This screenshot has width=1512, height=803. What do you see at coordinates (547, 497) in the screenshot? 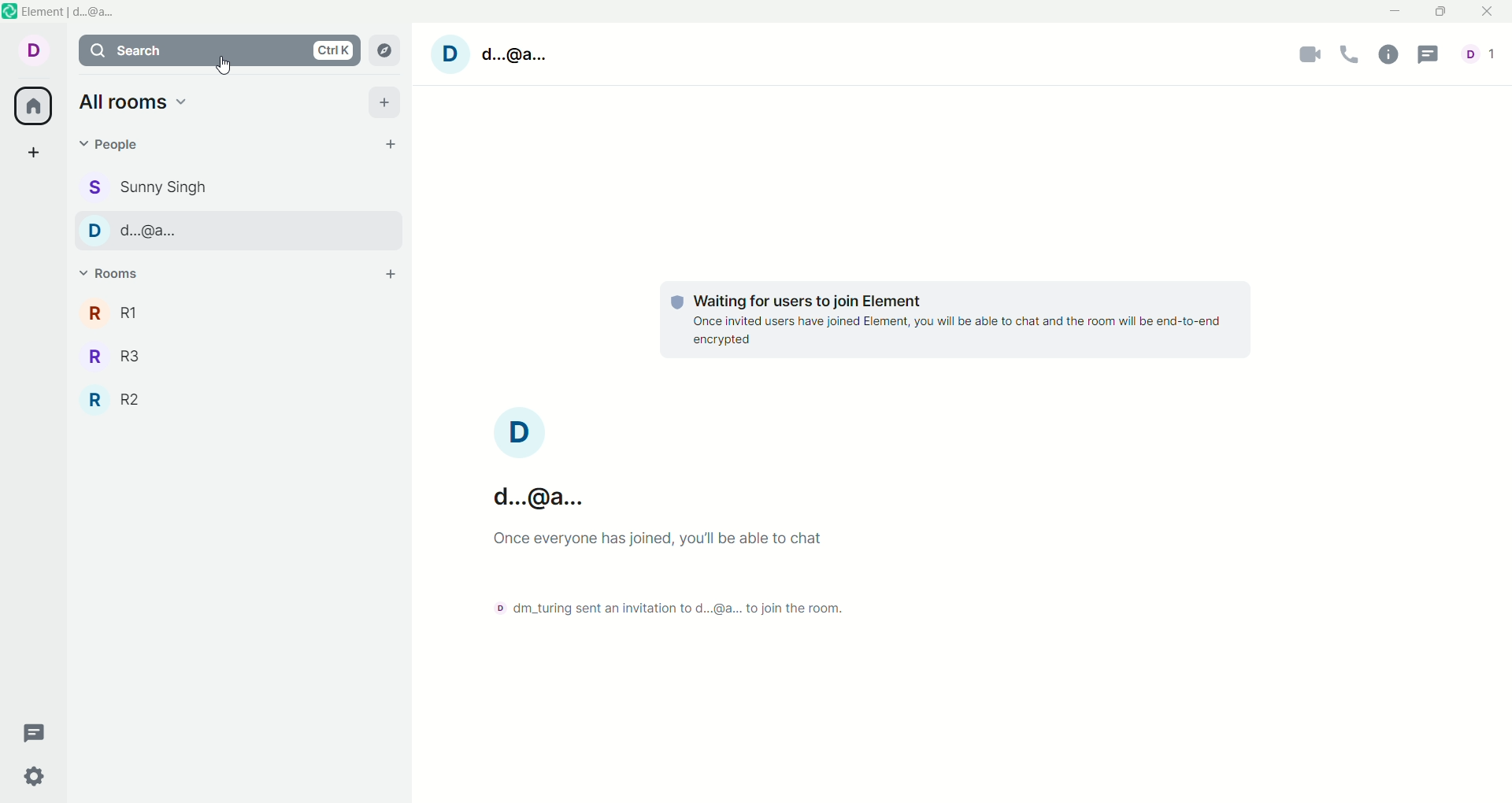
I see `Username` at bounding box center [547, 497].